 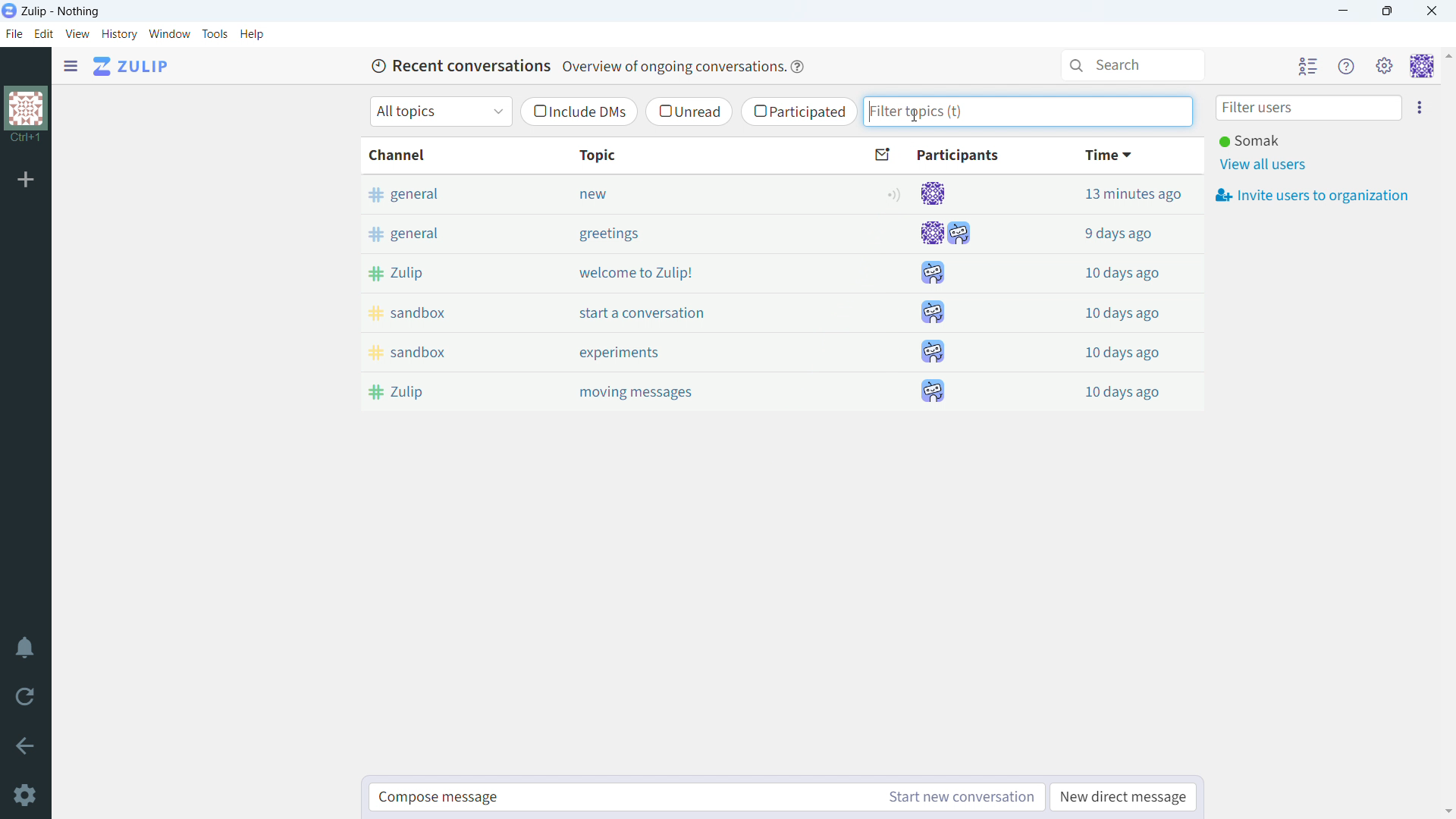 I want to click on main menu, so click(x=1386, y=67).